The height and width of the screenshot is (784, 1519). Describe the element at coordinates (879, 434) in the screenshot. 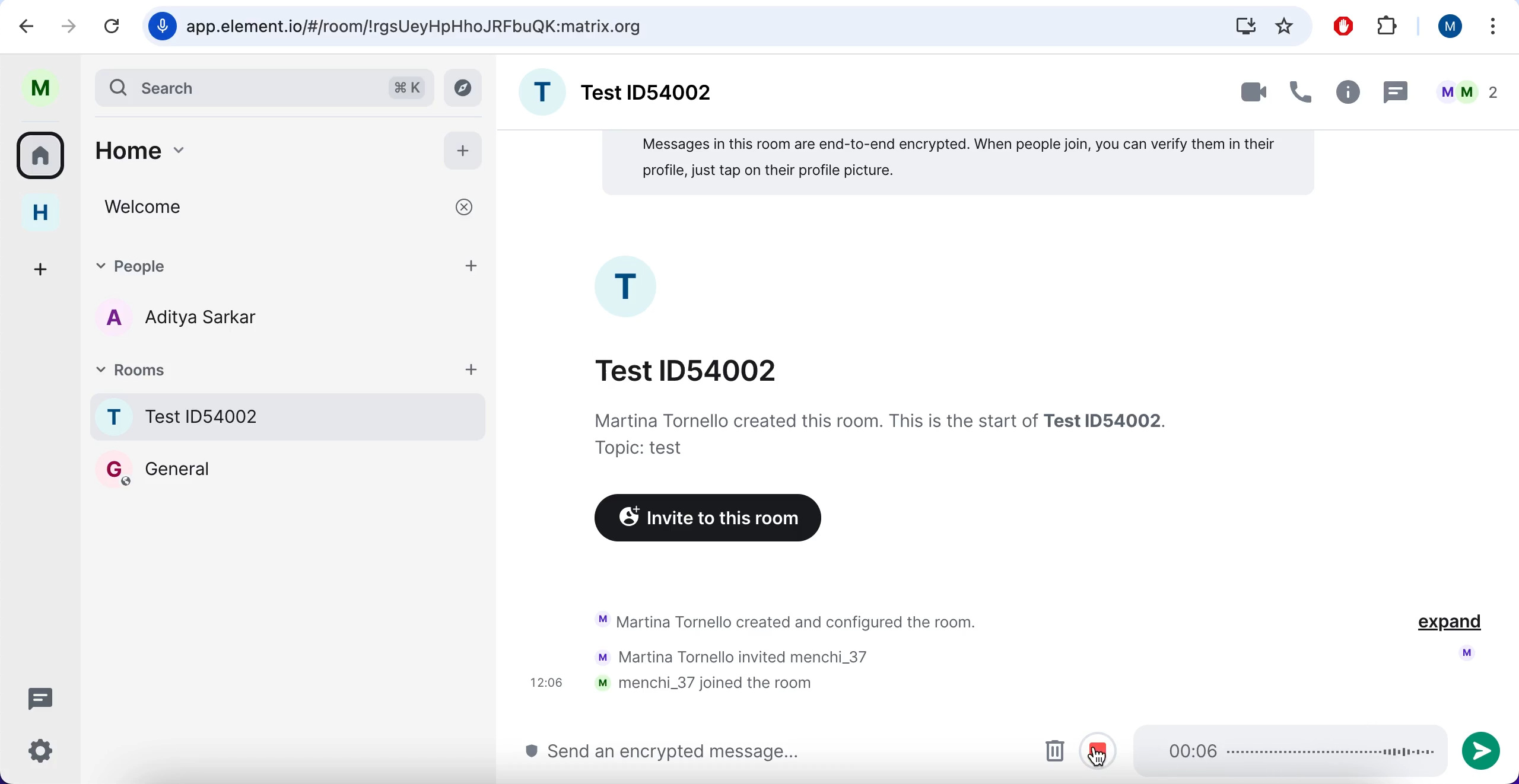

I see `information` at that location.